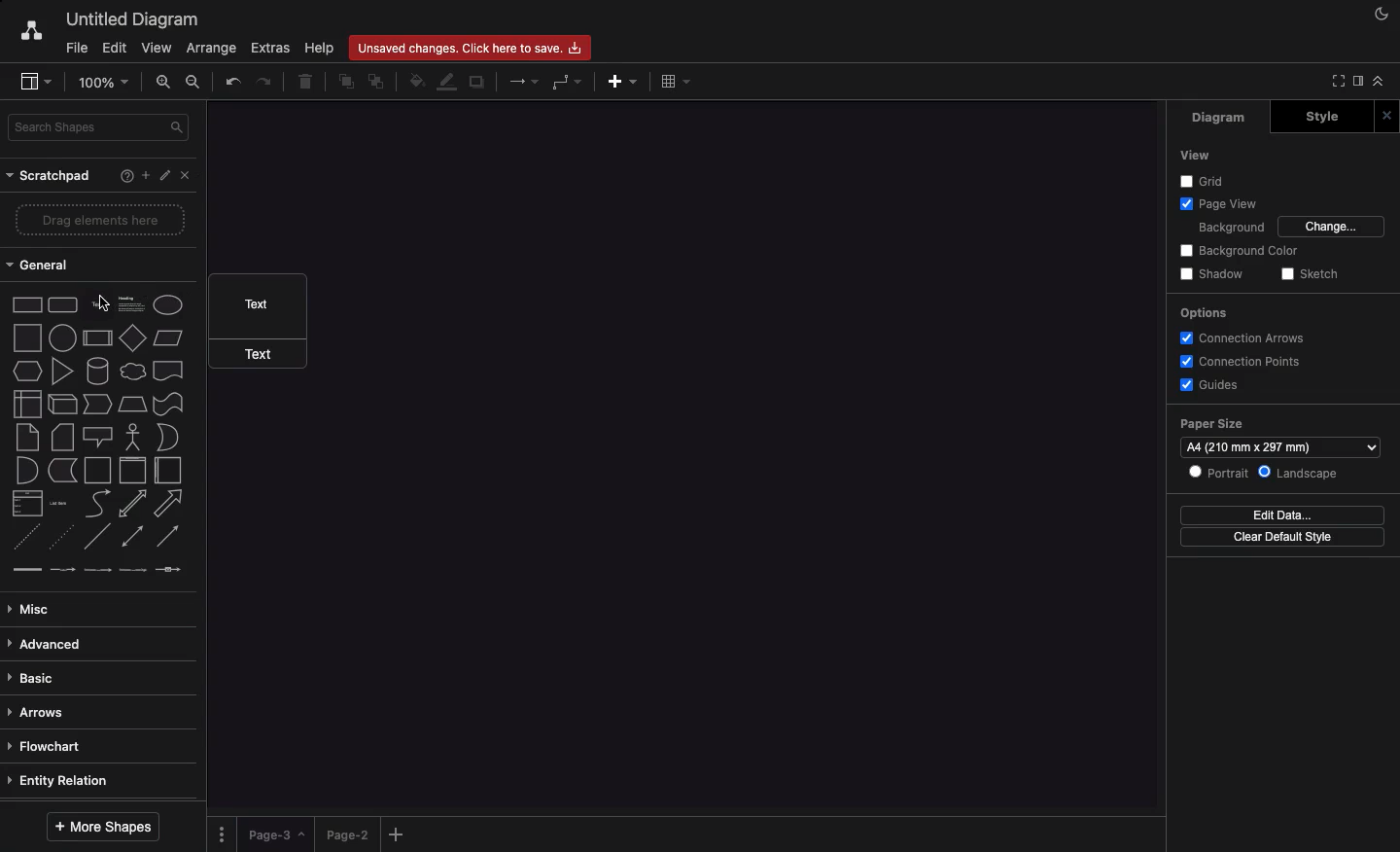 This screenshot has height=852, width=1400. Describe the element at coordinates (1232, 227) in the screenshot. I see `Background` at that location.